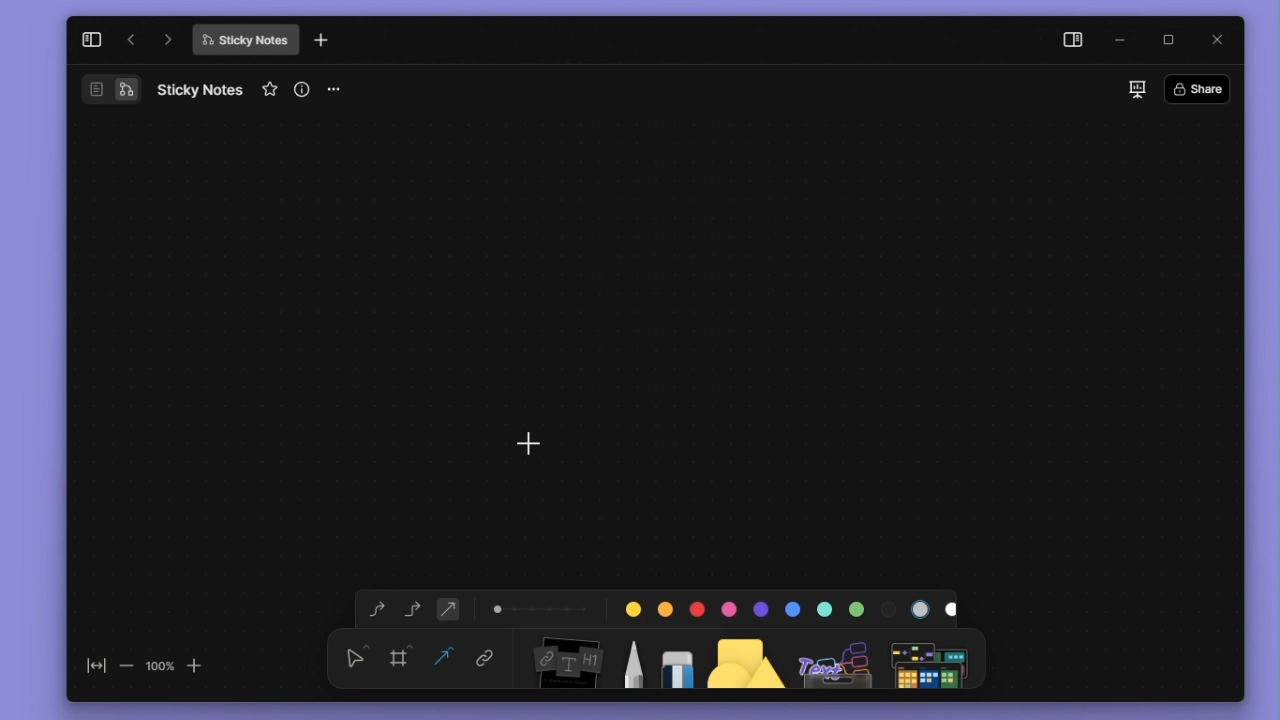 The width and height of the screenshot is (1280, 720). Describe the element at coordinates (837, 658) in the screenshot. I see `other` at that location.